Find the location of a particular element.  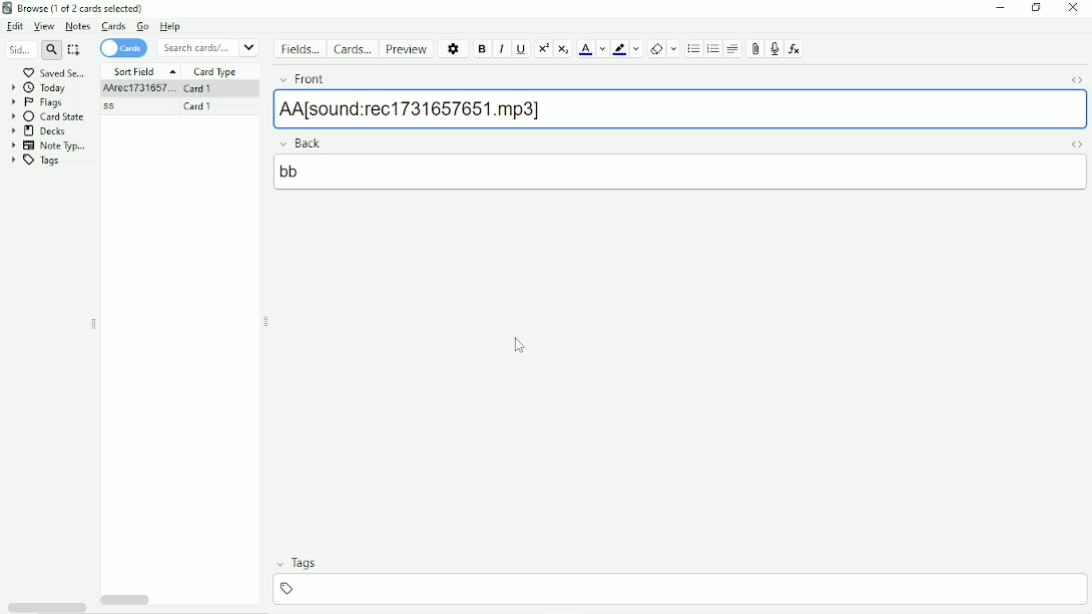

Preview is located at coordinates (406, 49).